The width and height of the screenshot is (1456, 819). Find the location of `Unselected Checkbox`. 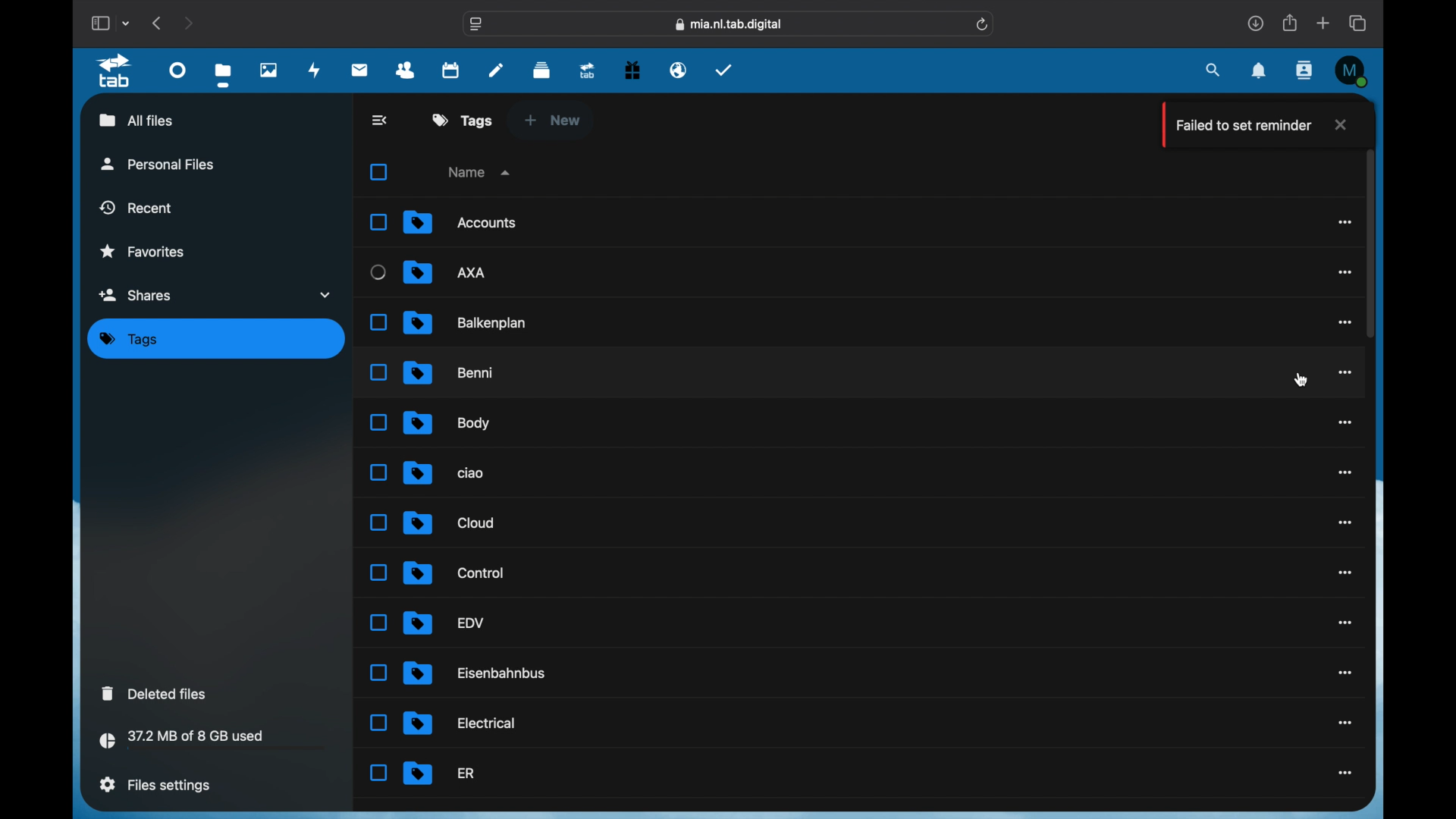

Unselected Checkbox is located at coordinates (381, 372).